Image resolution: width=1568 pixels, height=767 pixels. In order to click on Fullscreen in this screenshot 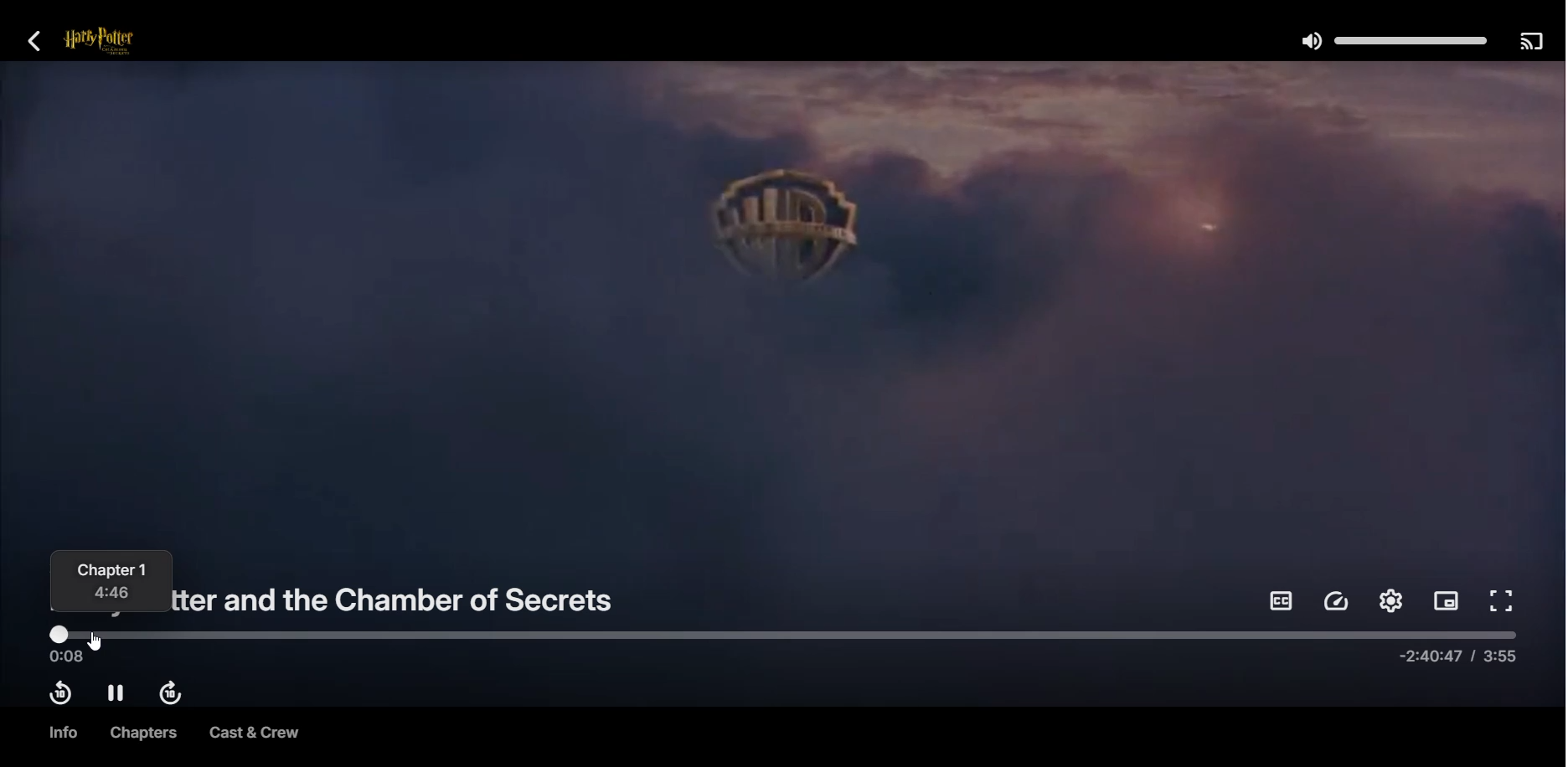, I will do `click(1504, 602)`.